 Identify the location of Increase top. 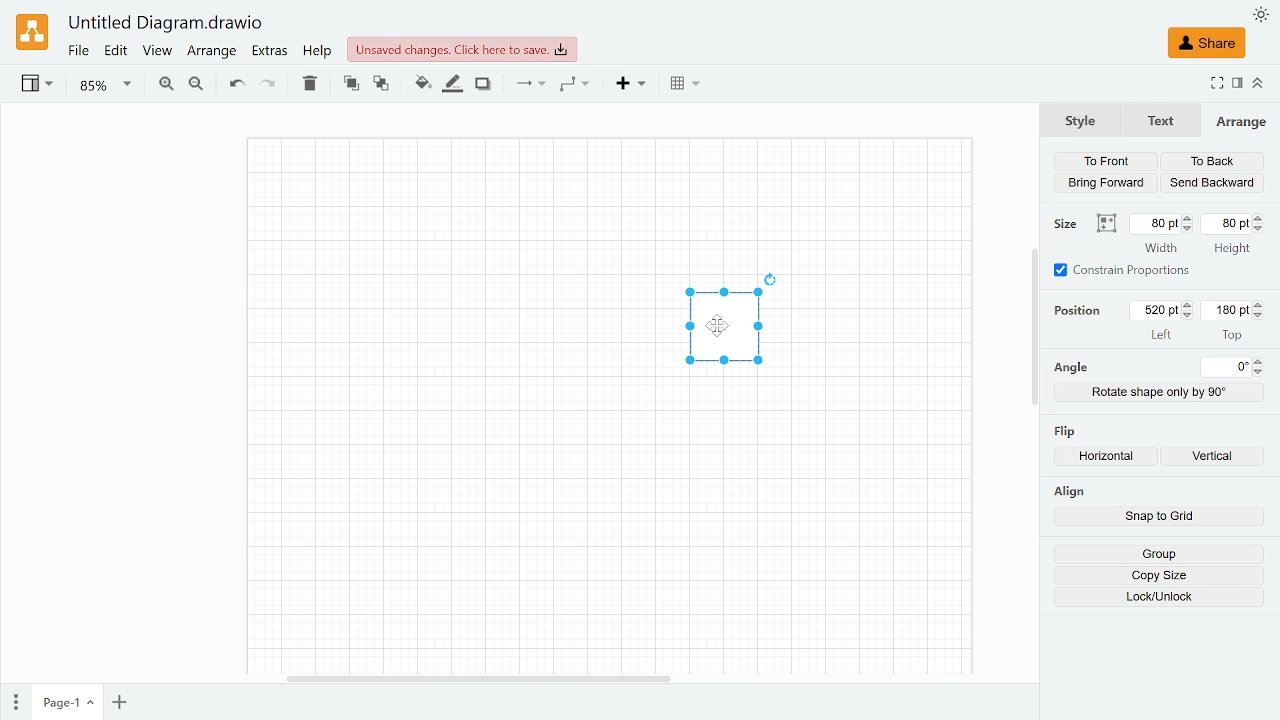
(1260, 304).